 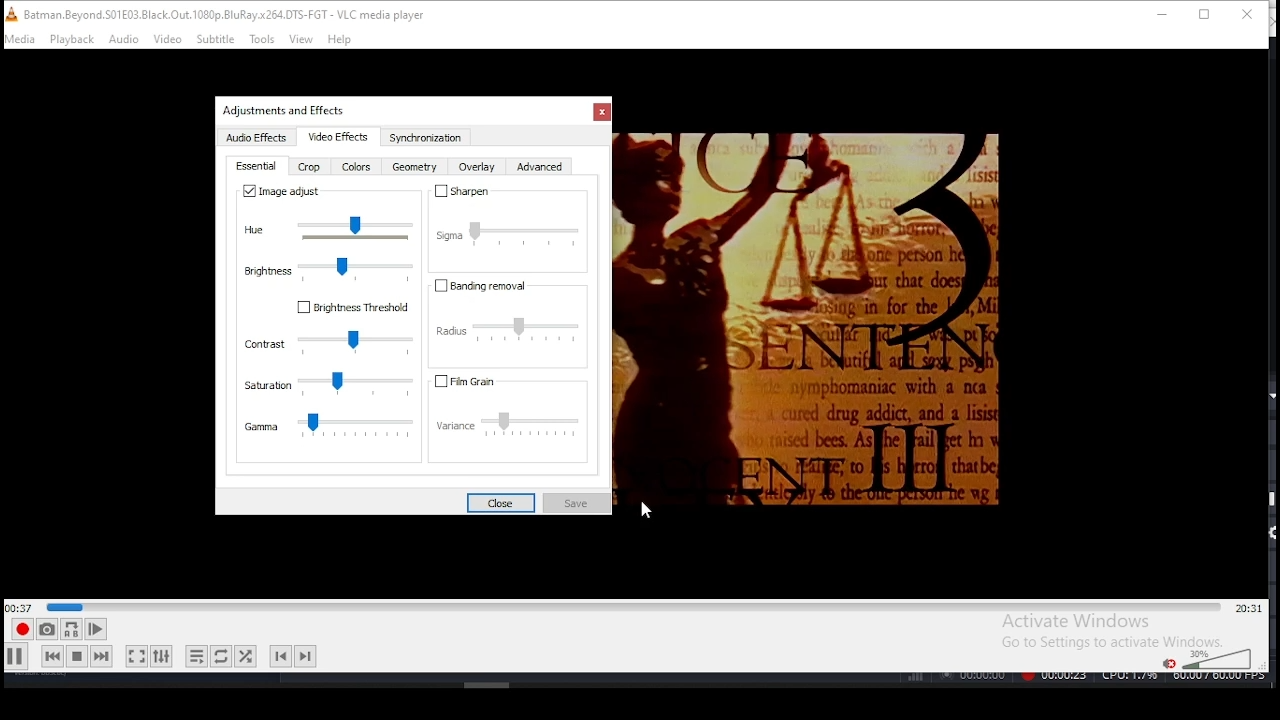 What do you see at coordinates (44, 632) in the screenshot?
I see `take snapshot` at bounding box center [44, 632].